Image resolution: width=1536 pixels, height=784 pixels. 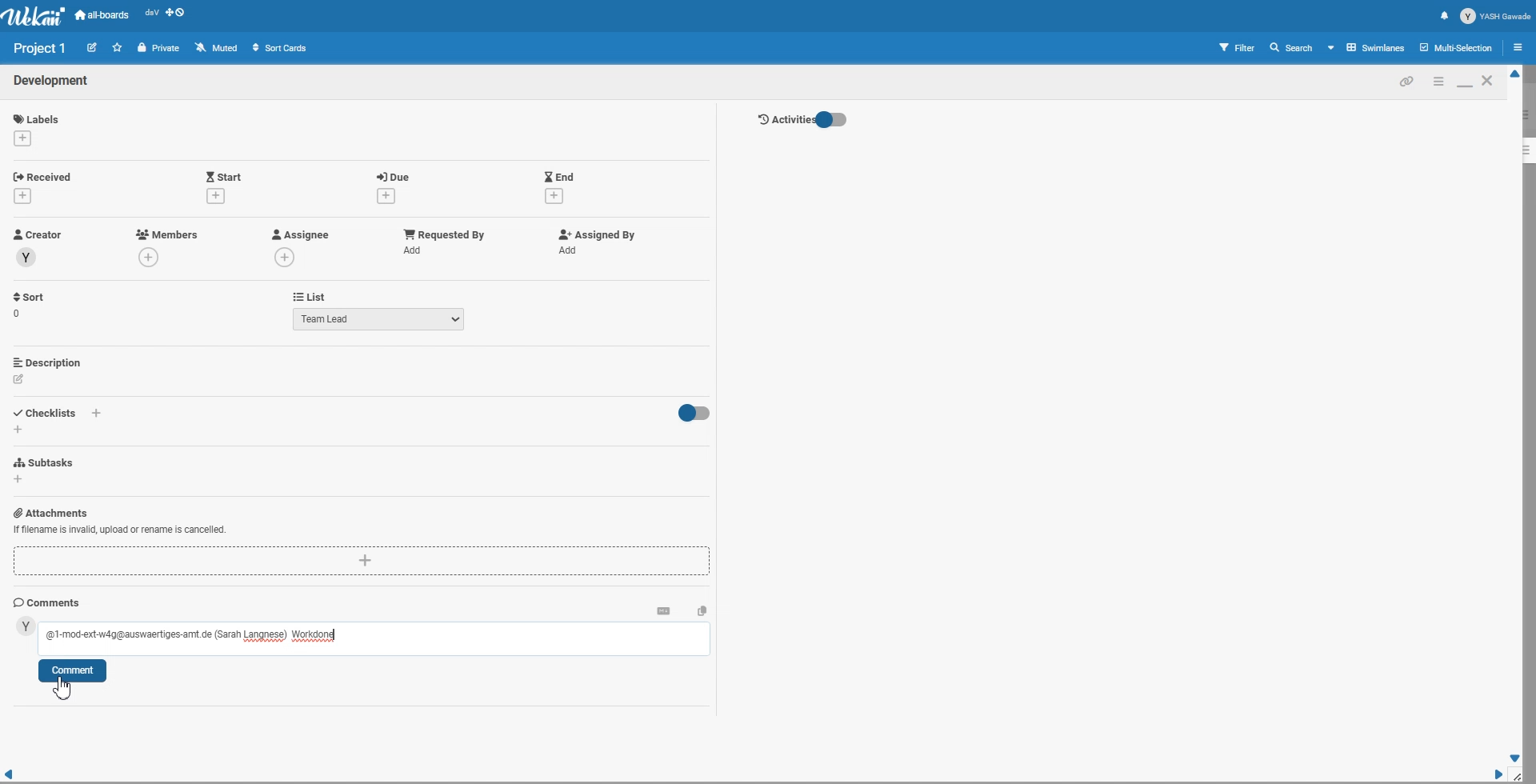 I want to click on add, so click(x=22, y=138).